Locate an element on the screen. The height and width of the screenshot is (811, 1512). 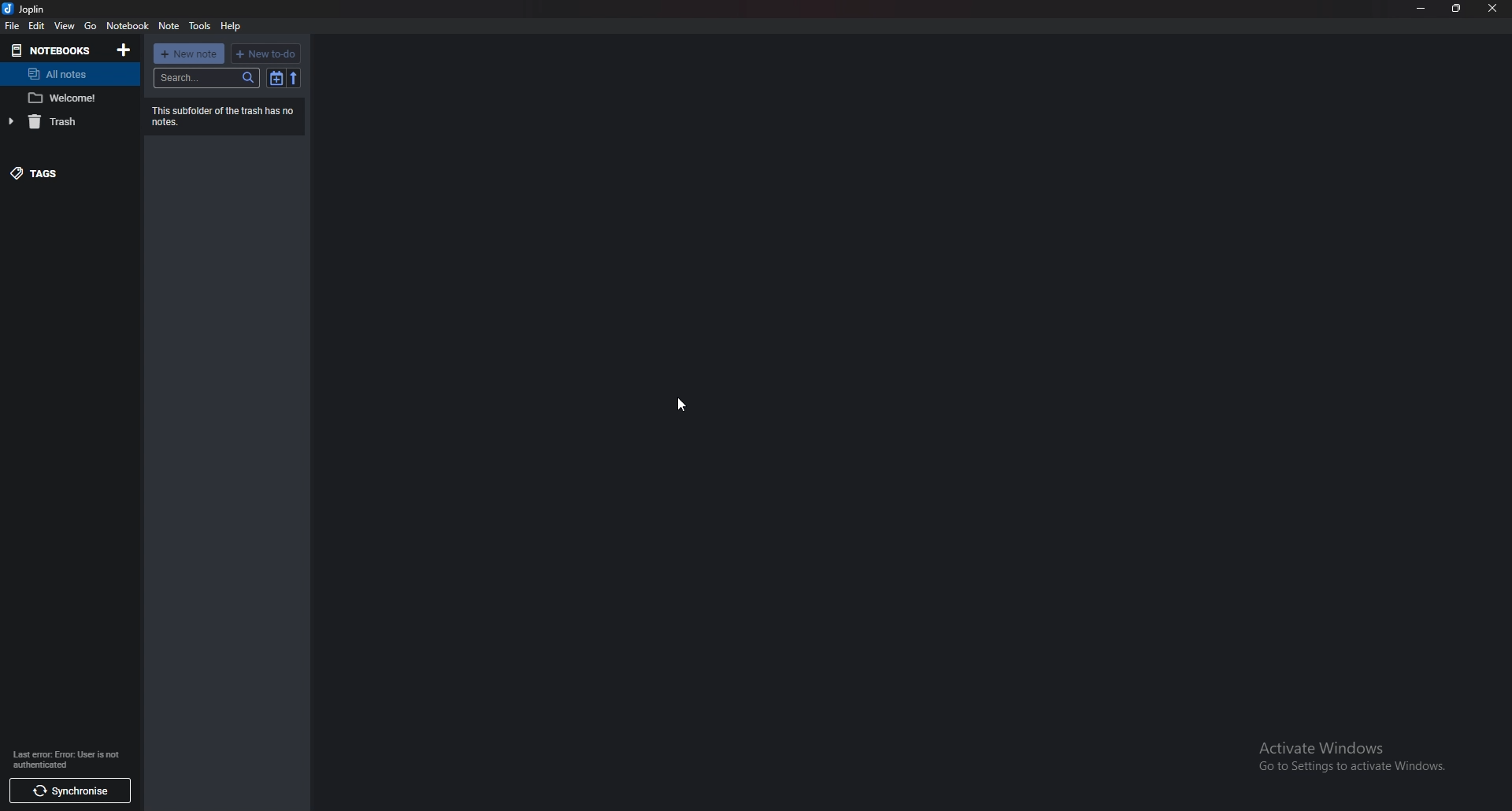
toggle sort is located at coordinates (277, 78).